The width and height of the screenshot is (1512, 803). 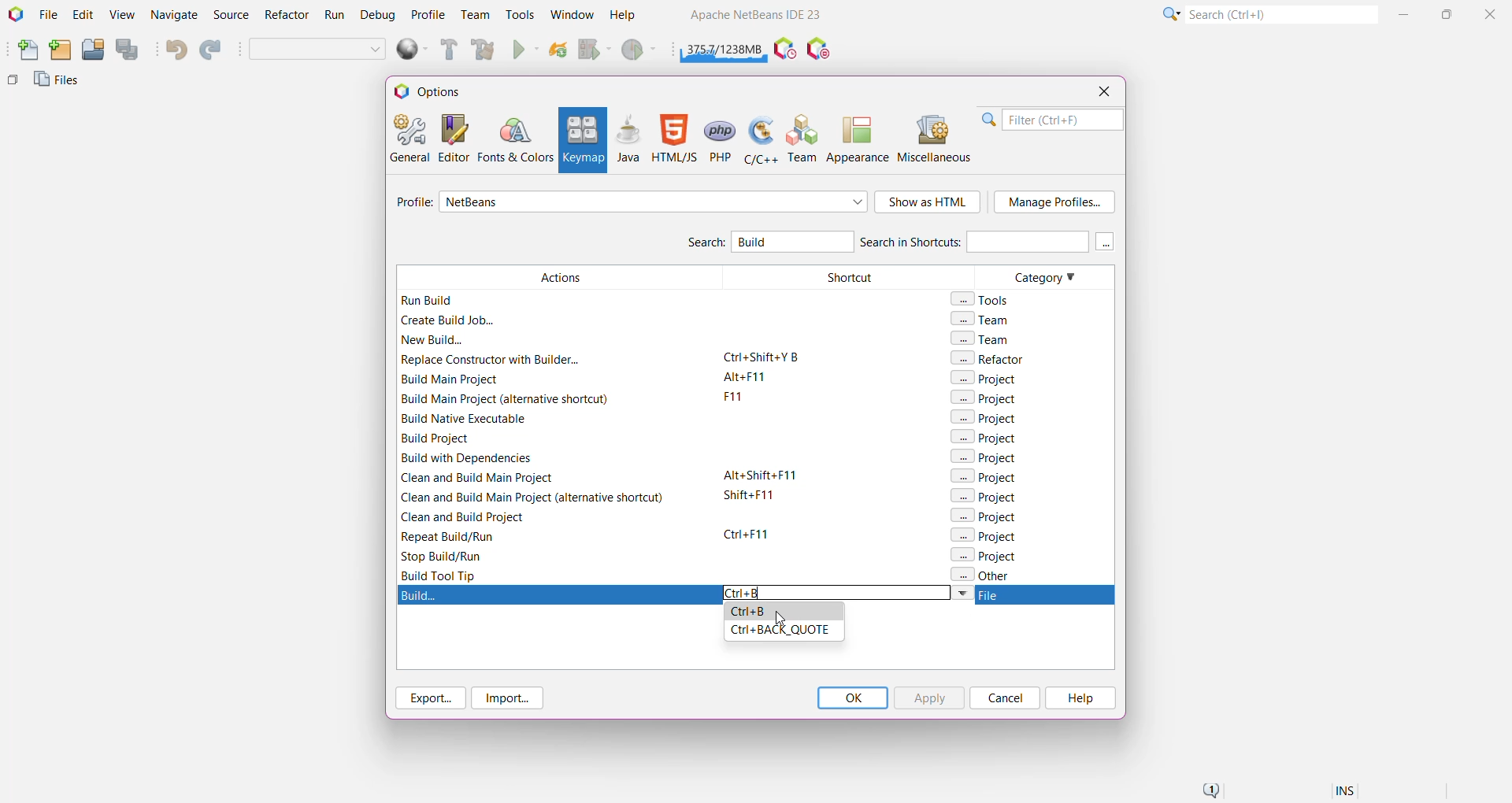 What do you see at coordinates (784, 612) in the screenshot?
I see `Ctrl+B` at bounding box center [784, 612].